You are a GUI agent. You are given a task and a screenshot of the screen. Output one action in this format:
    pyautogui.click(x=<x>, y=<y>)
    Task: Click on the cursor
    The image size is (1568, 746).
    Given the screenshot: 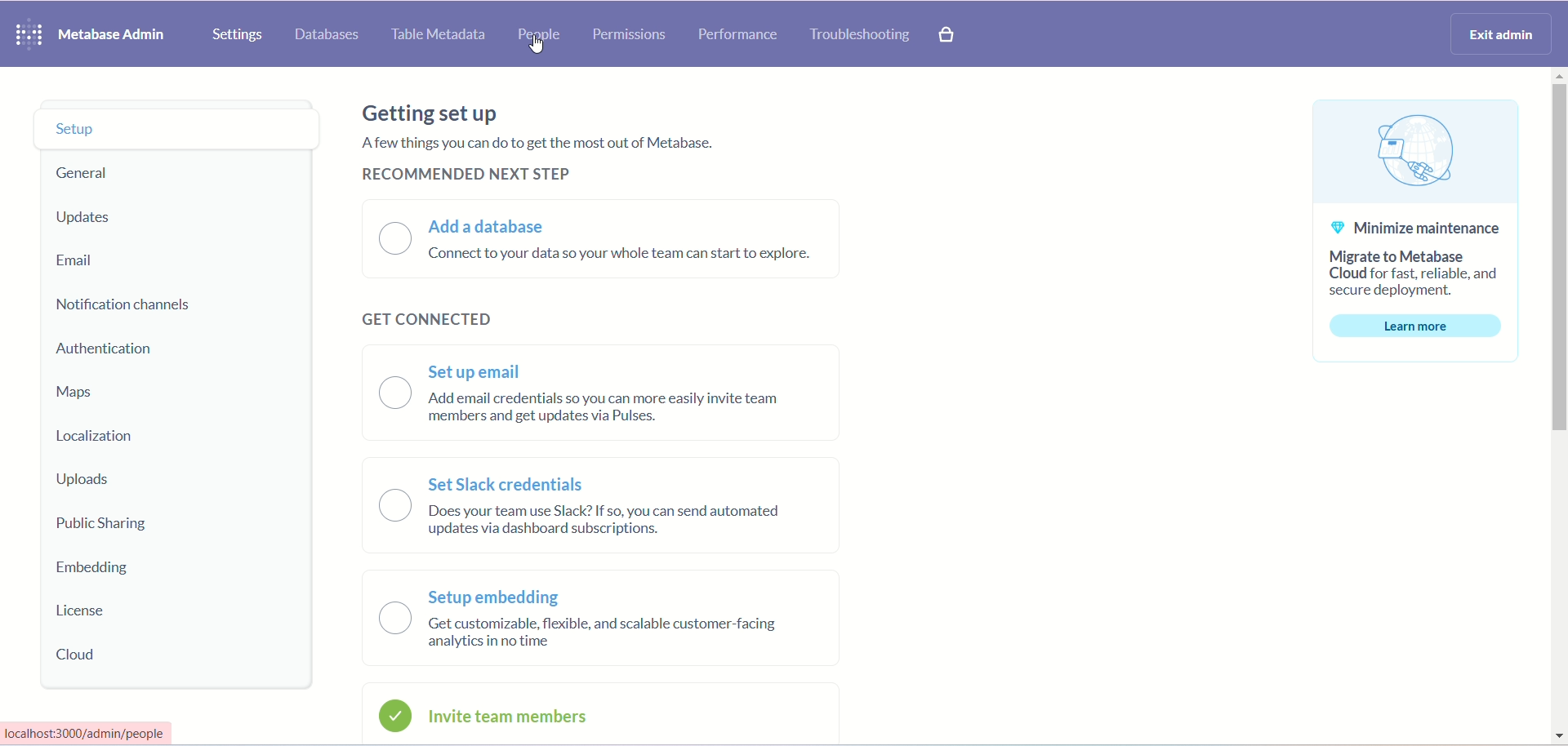 What is the action you would take?
    pyautogui.click(x=537, y=46)
    